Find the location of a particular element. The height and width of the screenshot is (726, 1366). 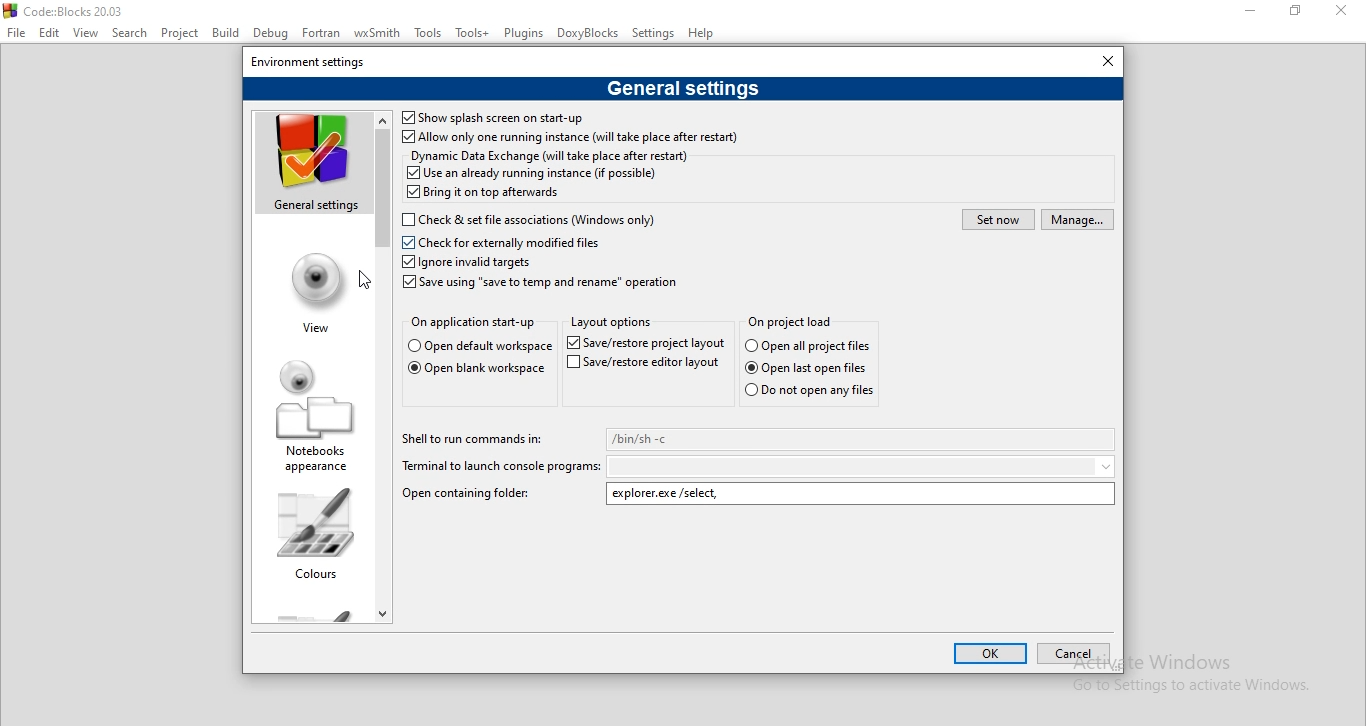

DoxyBlocks is located at coordinates (589, 34).